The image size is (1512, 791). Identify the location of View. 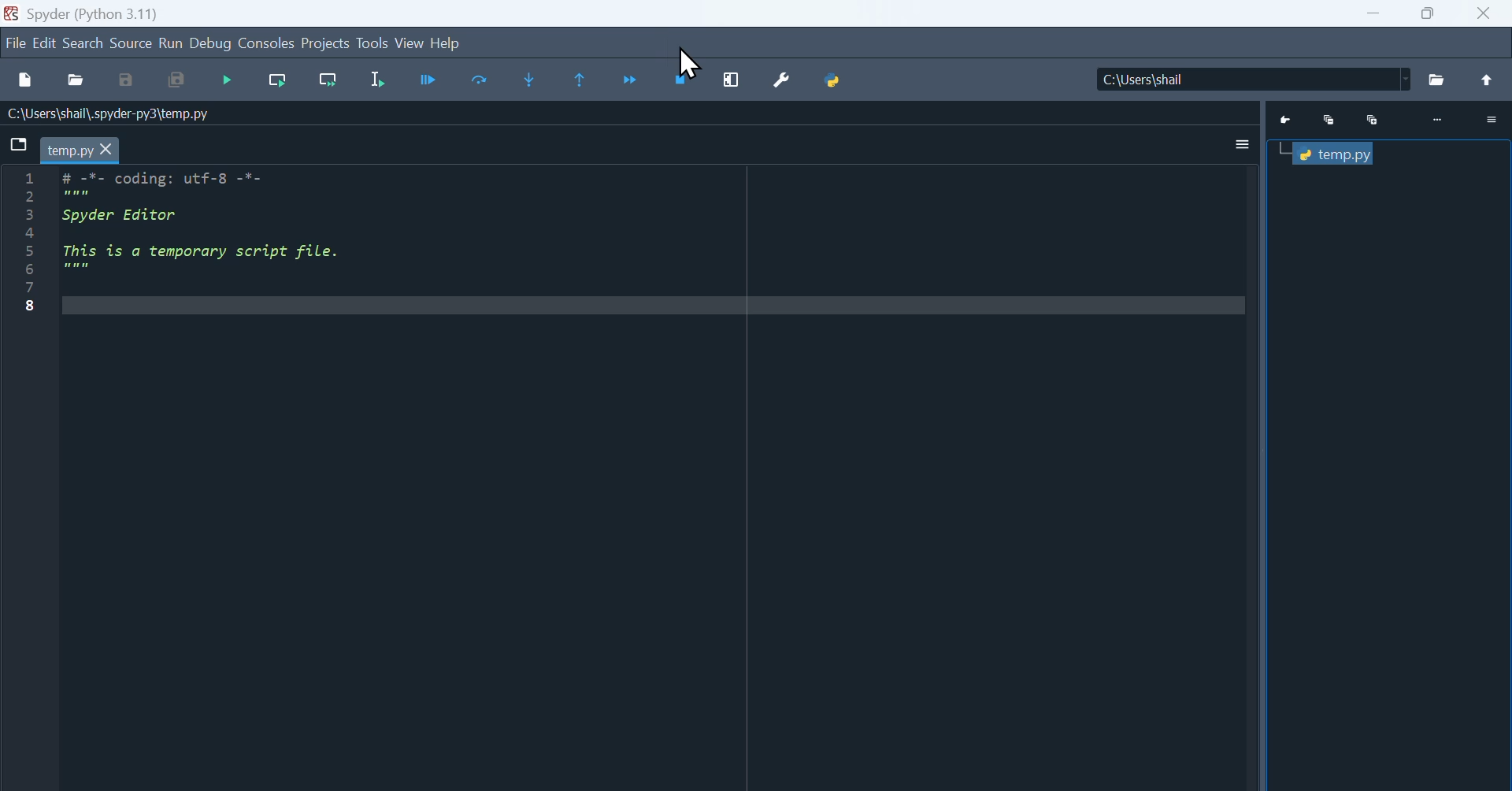
(409, 43).